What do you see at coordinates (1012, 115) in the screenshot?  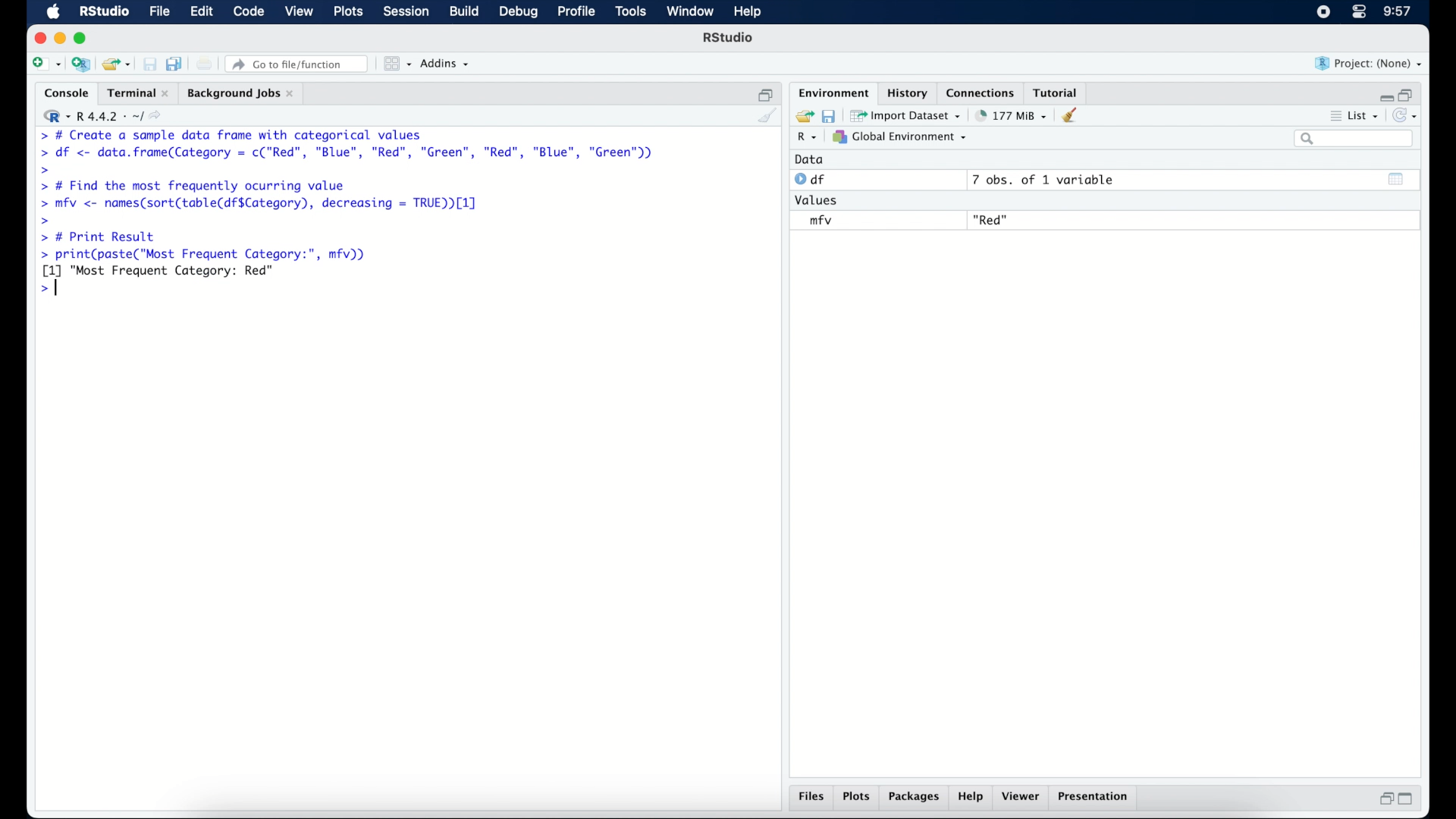 I see `142 MB` at bounding box center [1012, 115].